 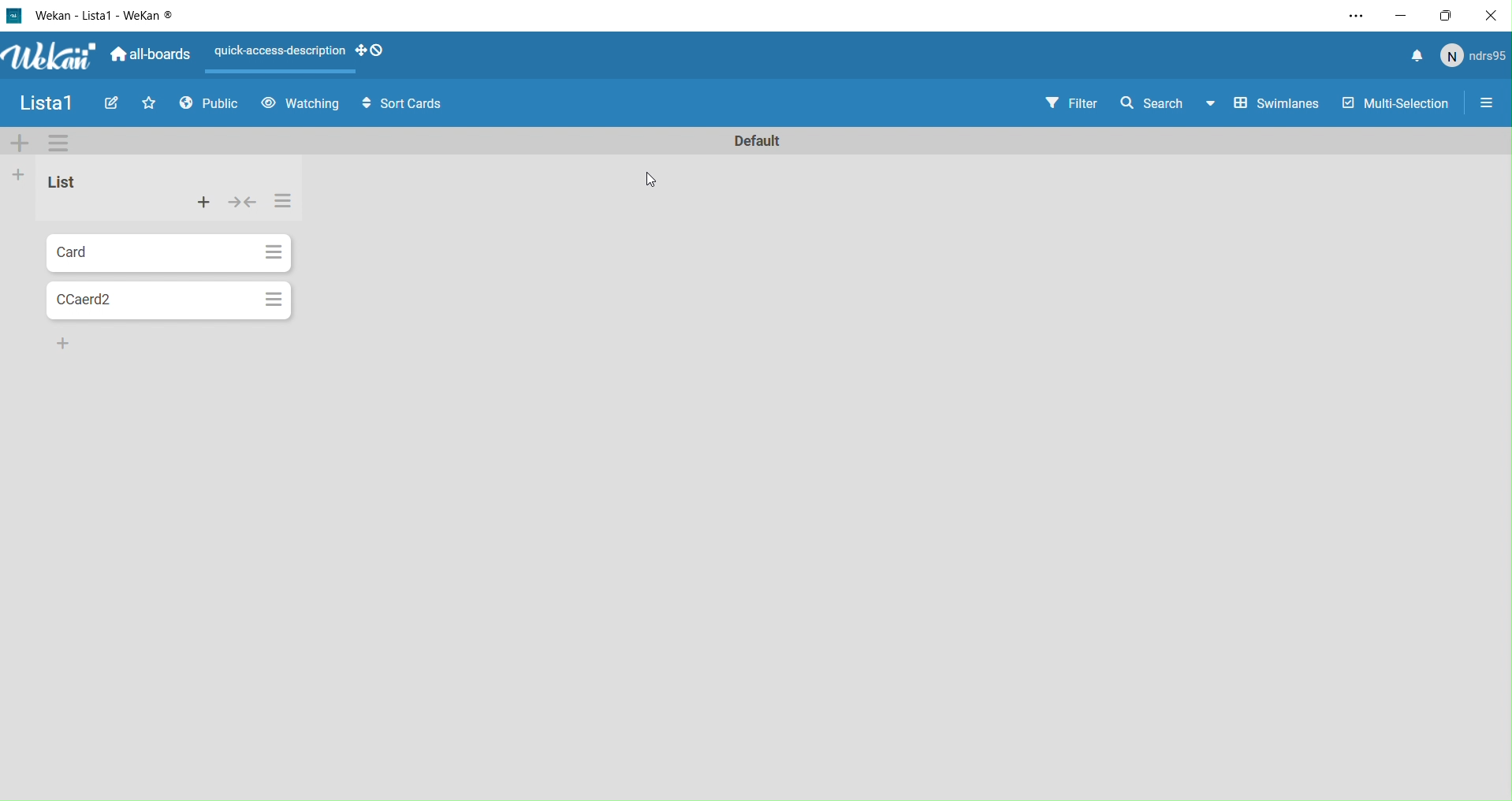 What do you see at coordinates (143, 253) in the screenshot?
I see `Card` at bounding box center [143, 253].